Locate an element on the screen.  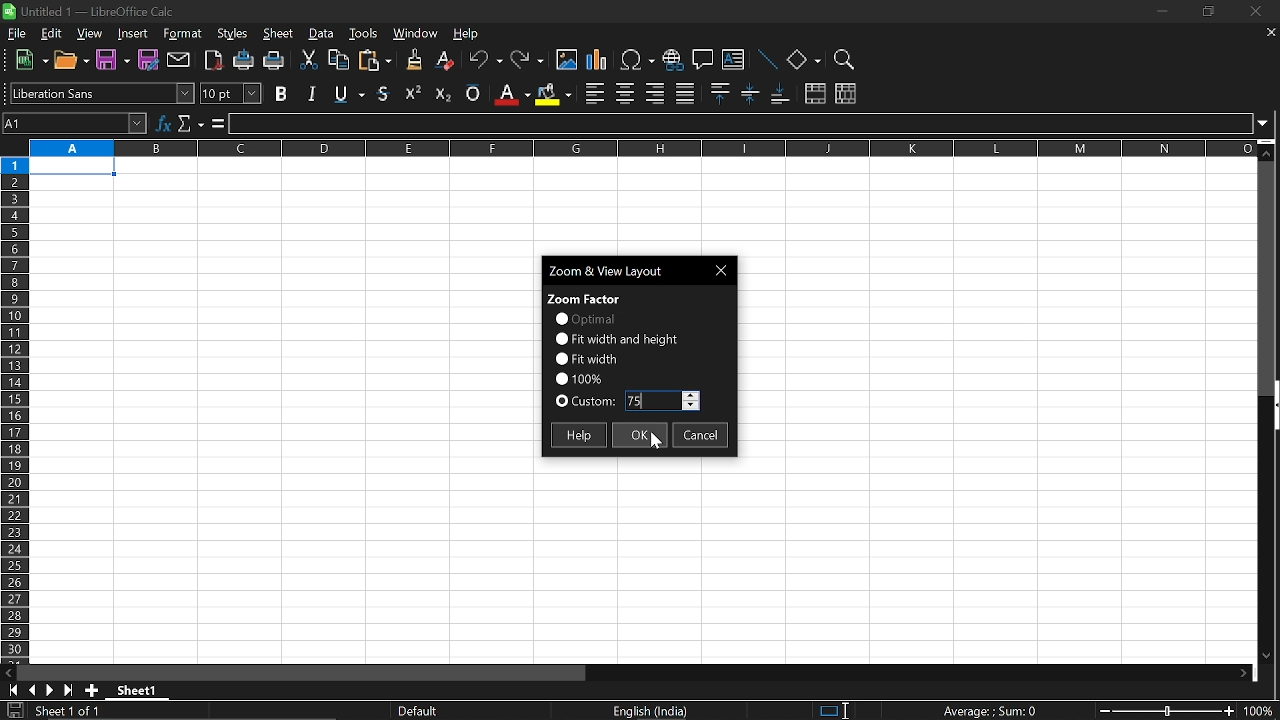
text style is located at coordinates (102, 93).